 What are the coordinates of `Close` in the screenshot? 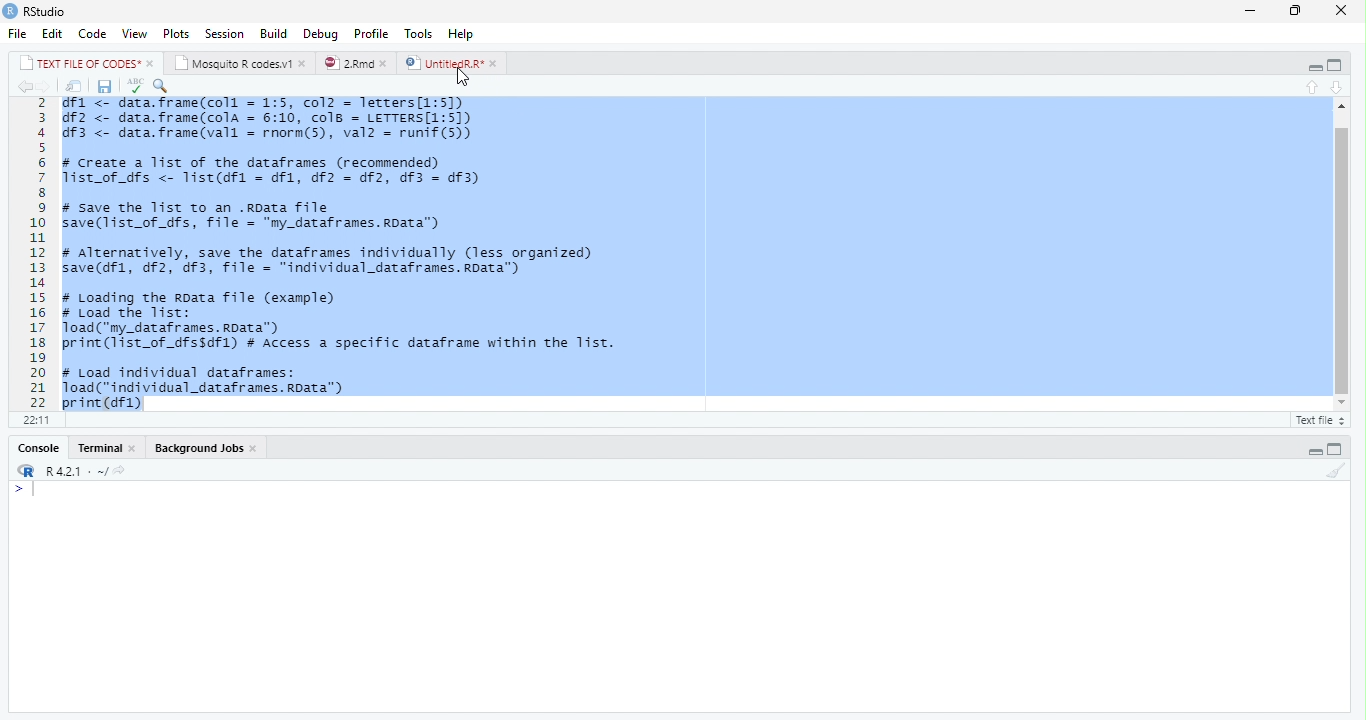 It's located at (1341, 11).